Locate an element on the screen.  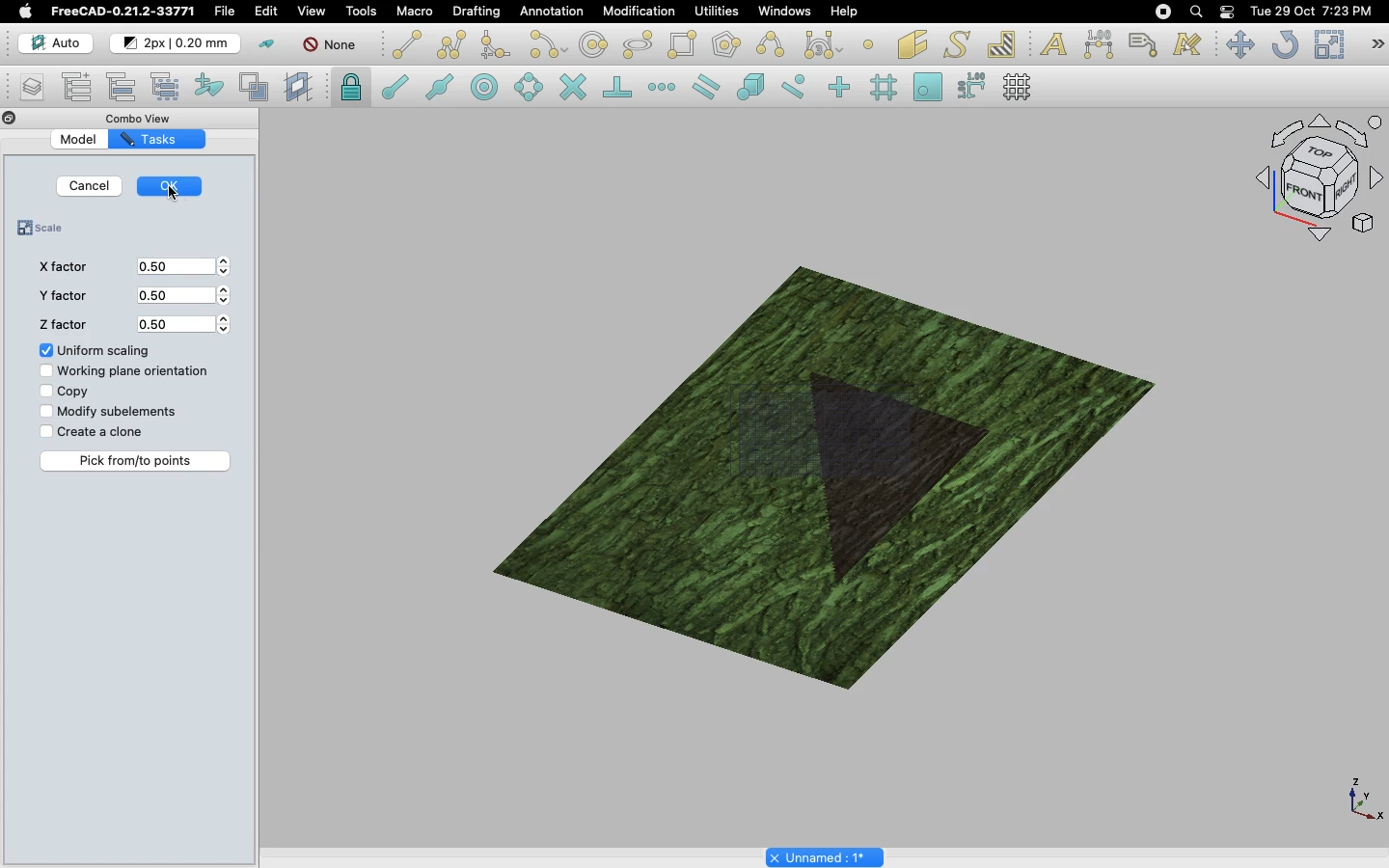
Snap perpendicular is located at coordinates (614, 86).